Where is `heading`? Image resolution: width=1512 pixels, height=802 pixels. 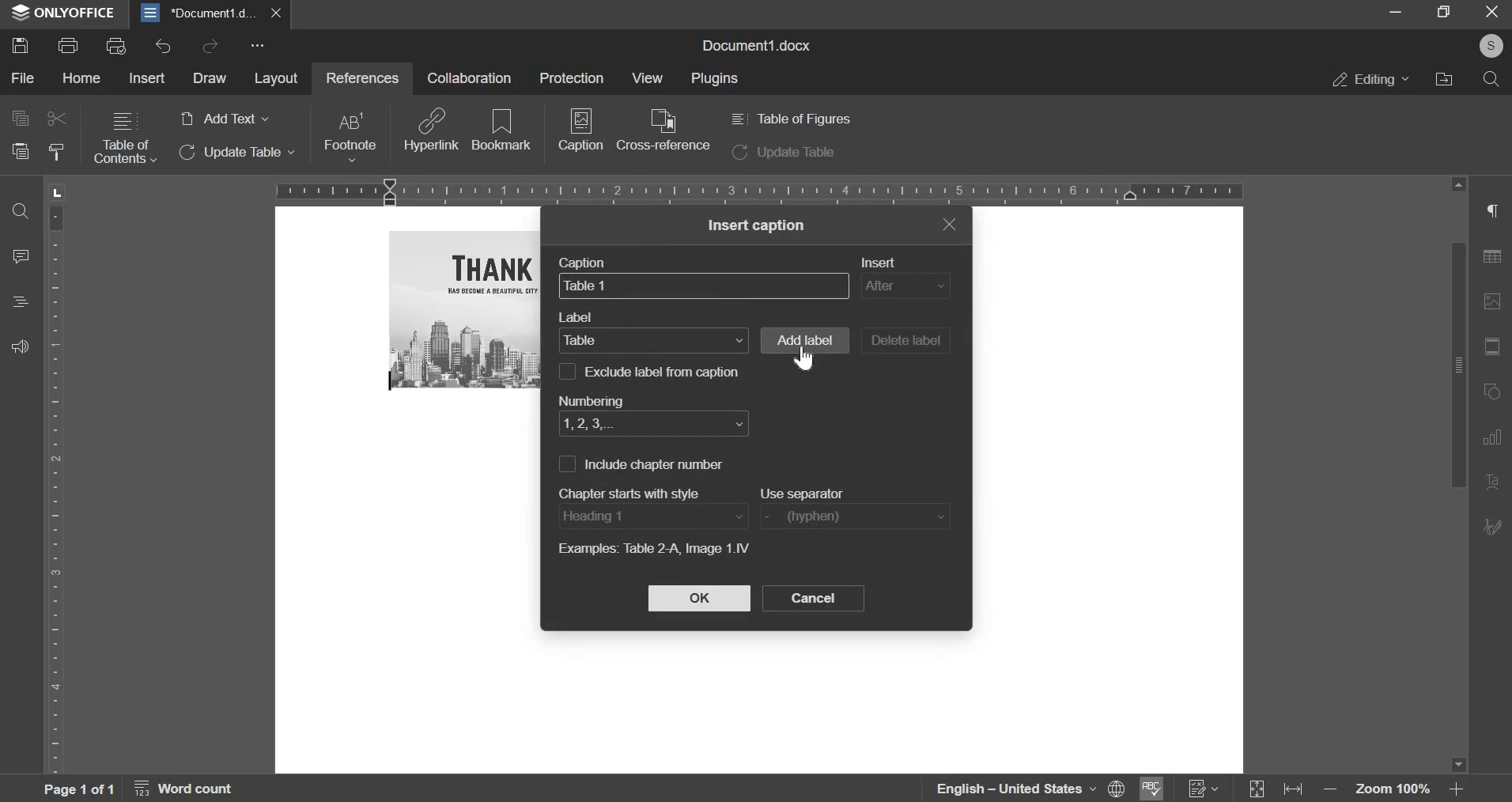
heading is located at coordinates (21, 301).